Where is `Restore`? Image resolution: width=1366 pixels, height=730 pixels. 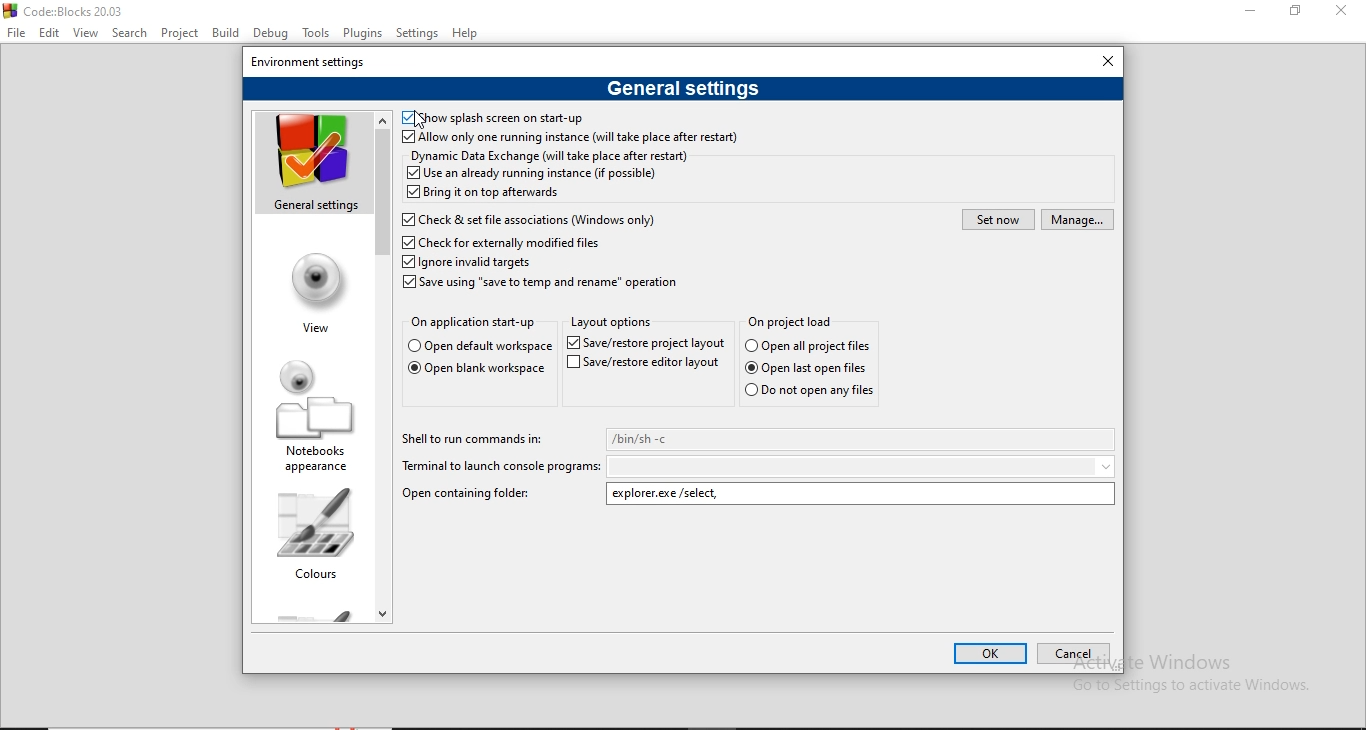
Restore is located at coordinates (1293, 13).